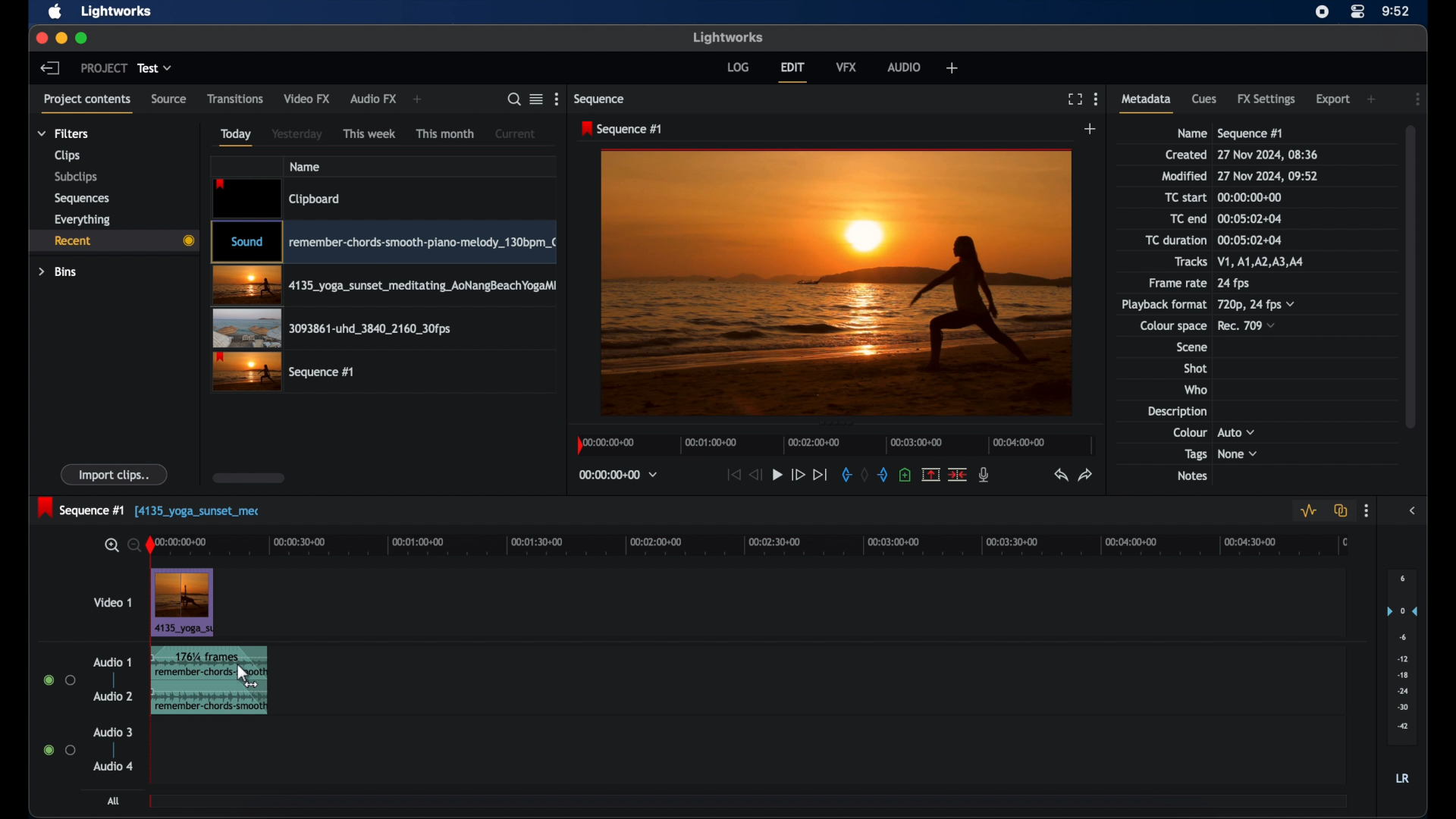 Image resolution: width=1456 pixels, height=819 pixels. Describe the element at coordinates (246, 676) in the screenshot. I see `cursor` at that location.